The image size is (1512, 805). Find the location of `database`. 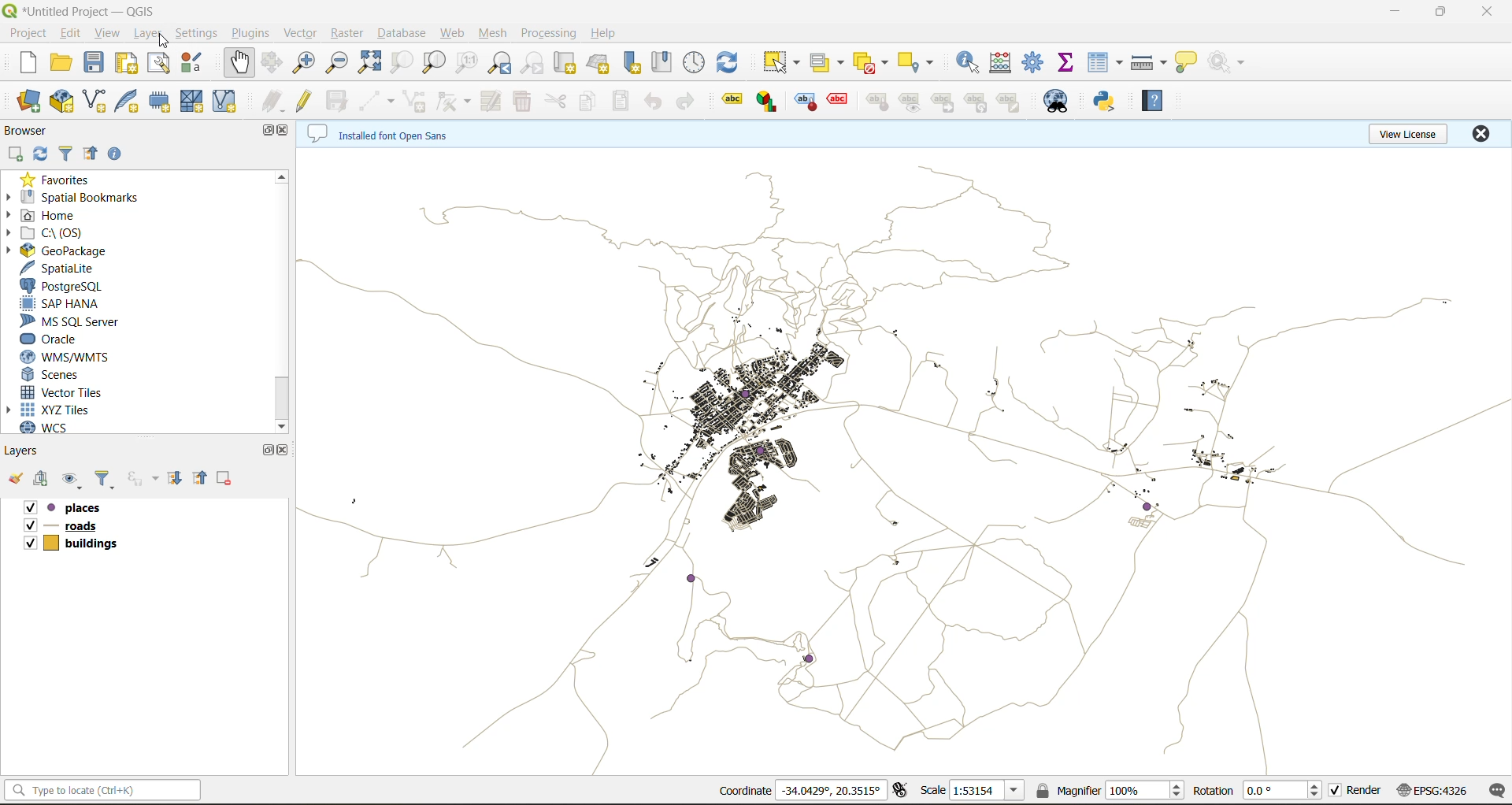

database is located at coordinates (404, 33).